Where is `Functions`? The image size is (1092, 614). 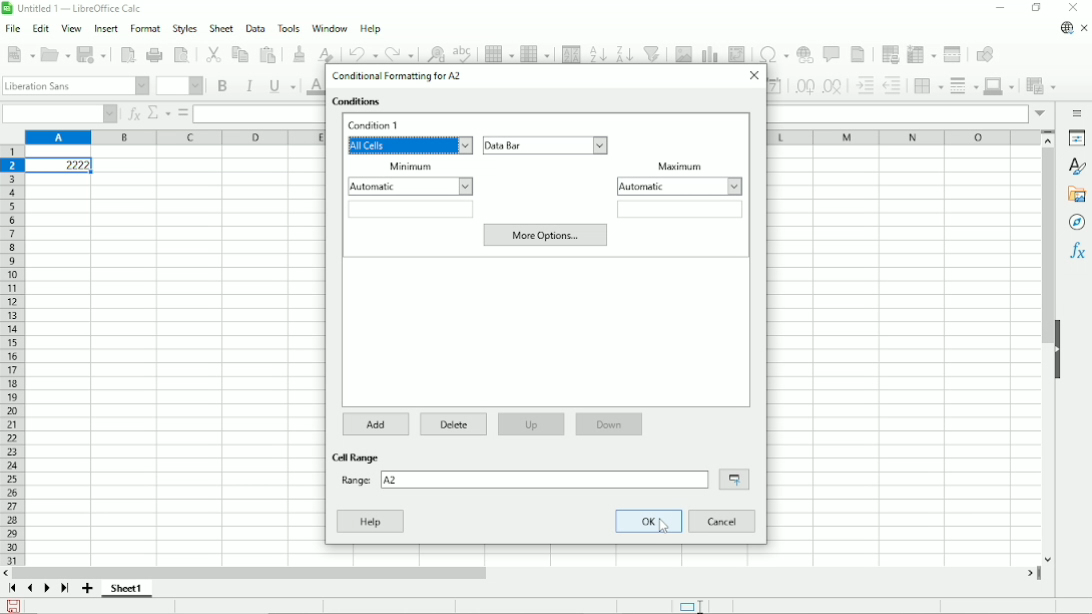
Functions is located at coordinates (1078, 251).